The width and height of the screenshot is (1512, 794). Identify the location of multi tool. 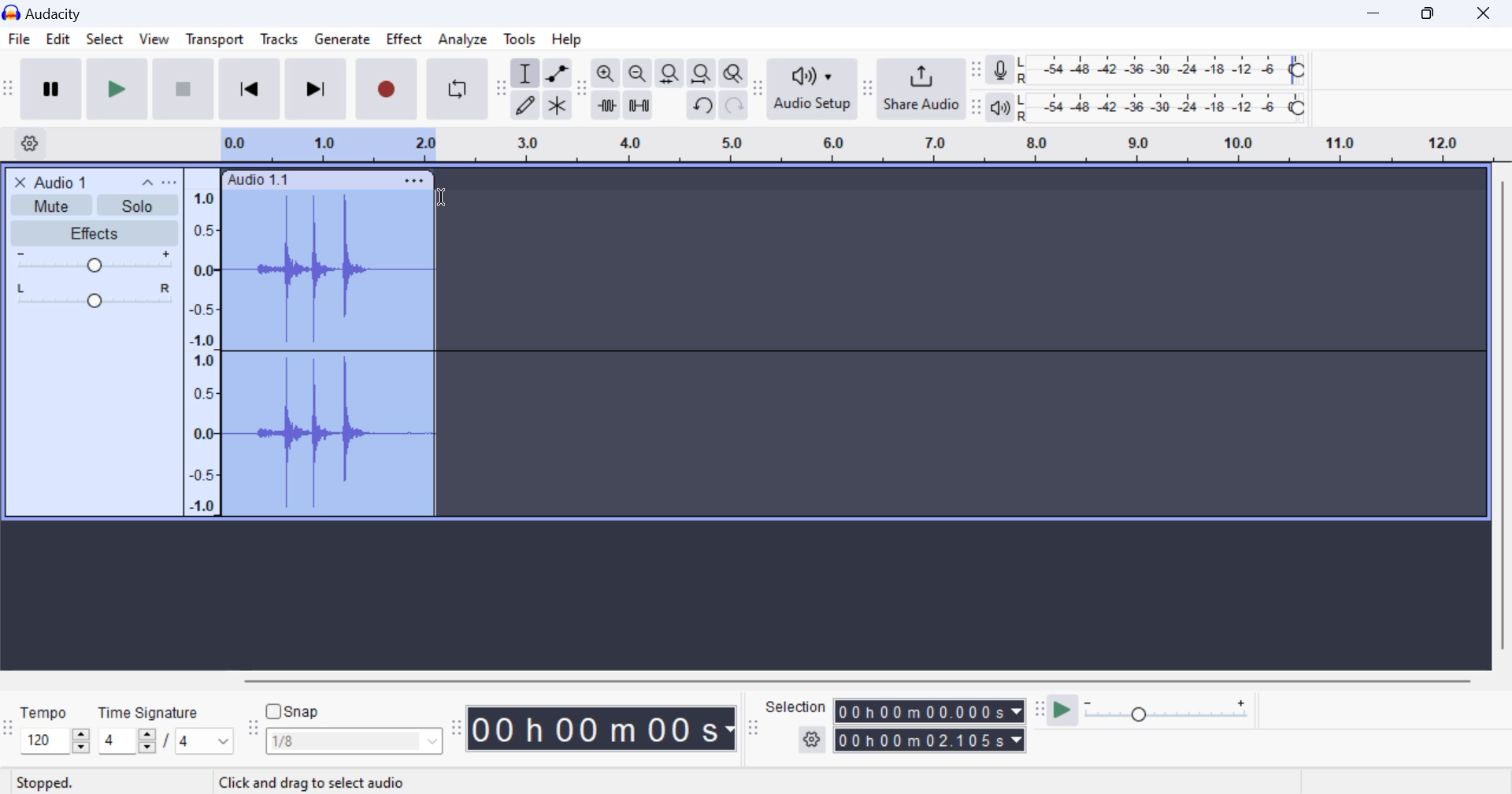
(558, 106).